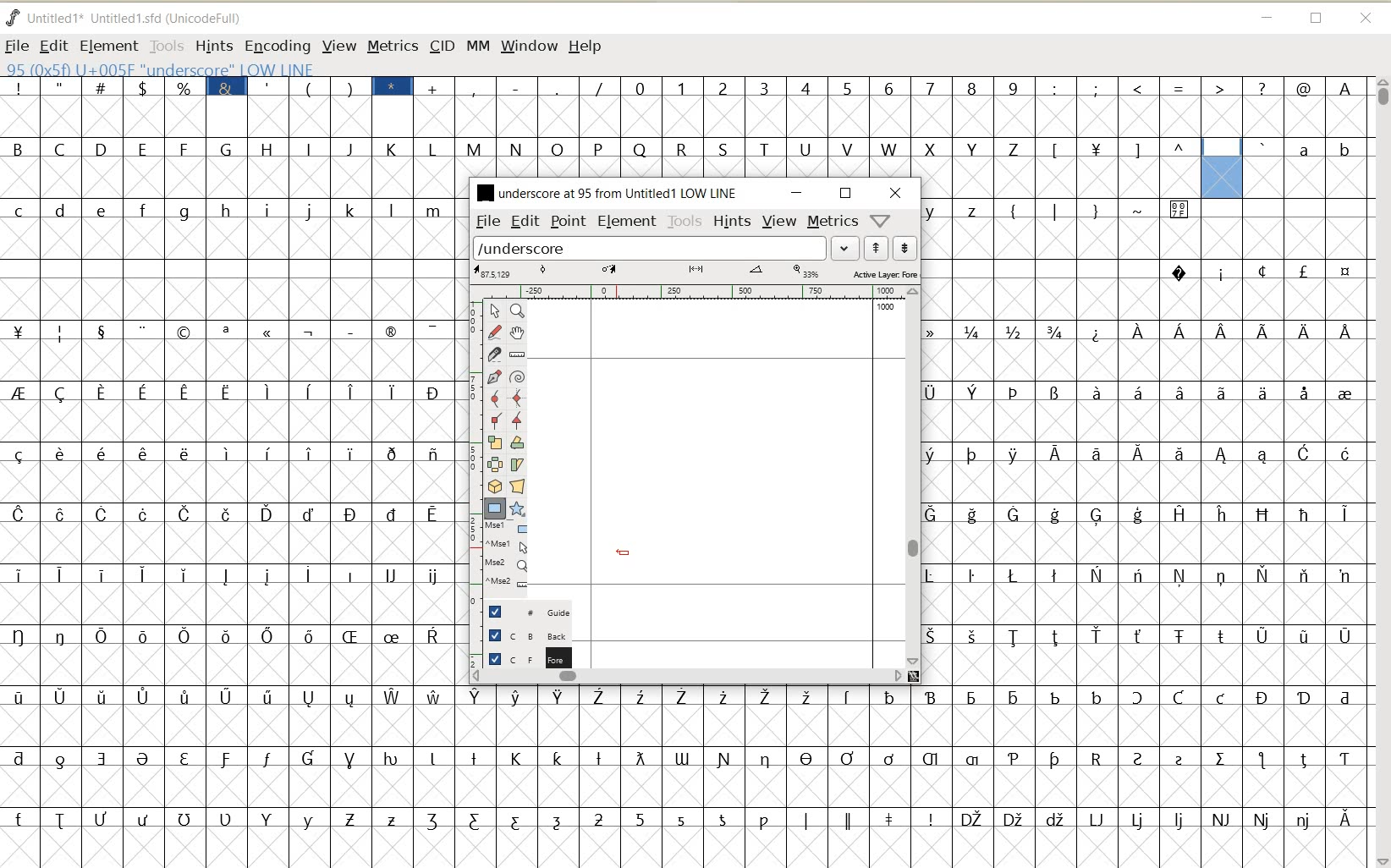 The image size is (1391, 868). I want to click on Rotate the selection, so click(518, 442).